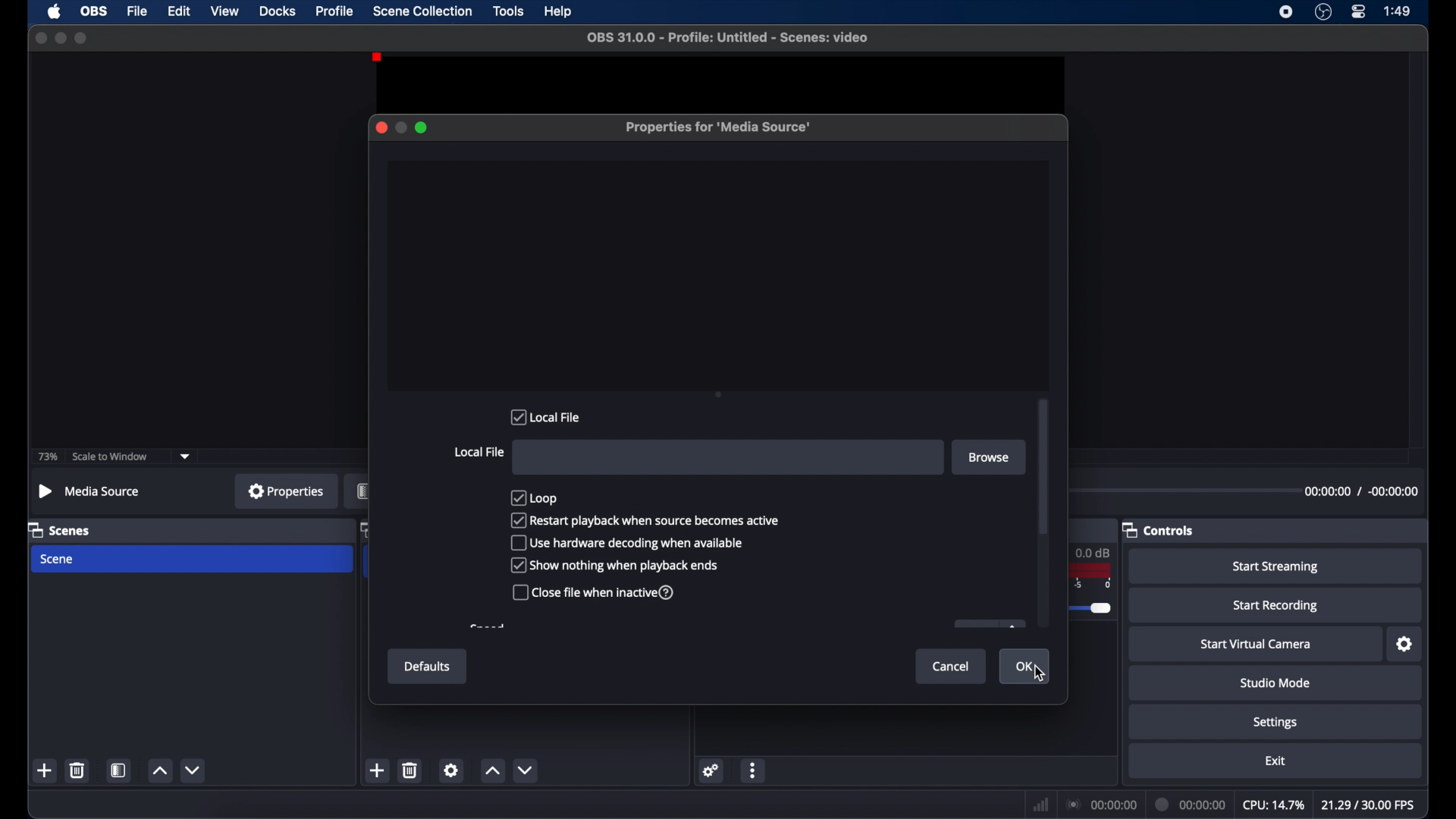 The image size is (1456, 819). I want to click on checkbox , so click(538, 497).